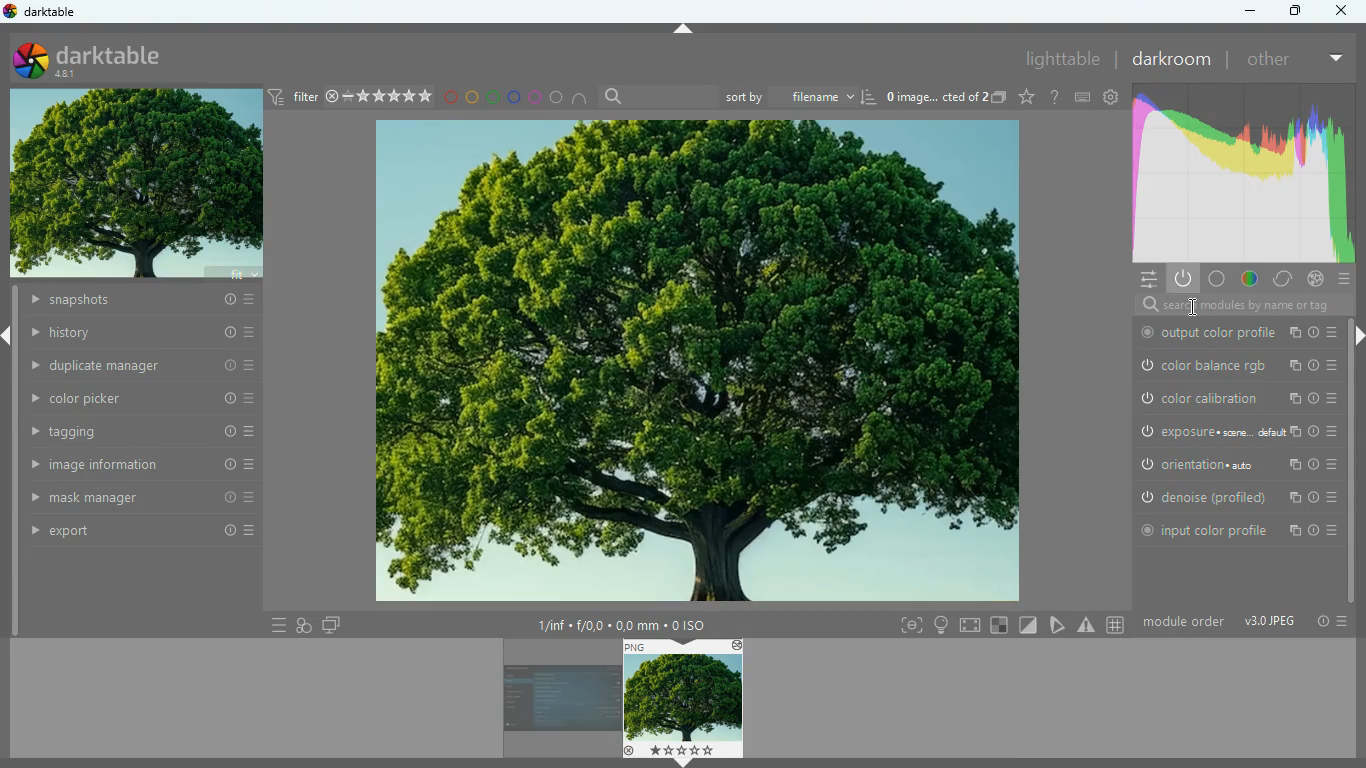 The height and width of the screenshot is (768, 1366). I want to click on image, so click(698, 362).